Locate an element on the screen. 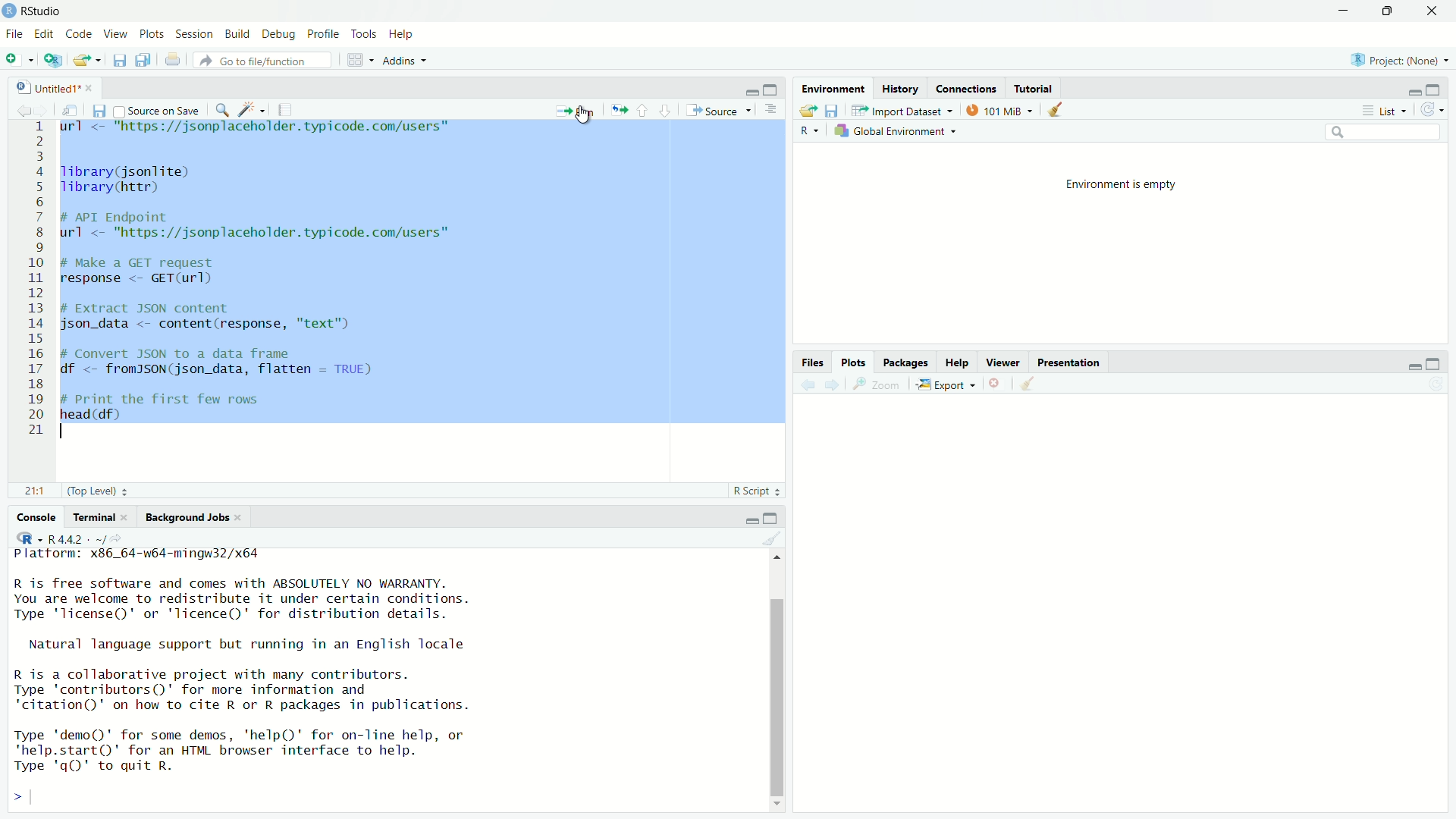  # Make a GET request
response <- GET(url) is located at coordinates (146, 273).